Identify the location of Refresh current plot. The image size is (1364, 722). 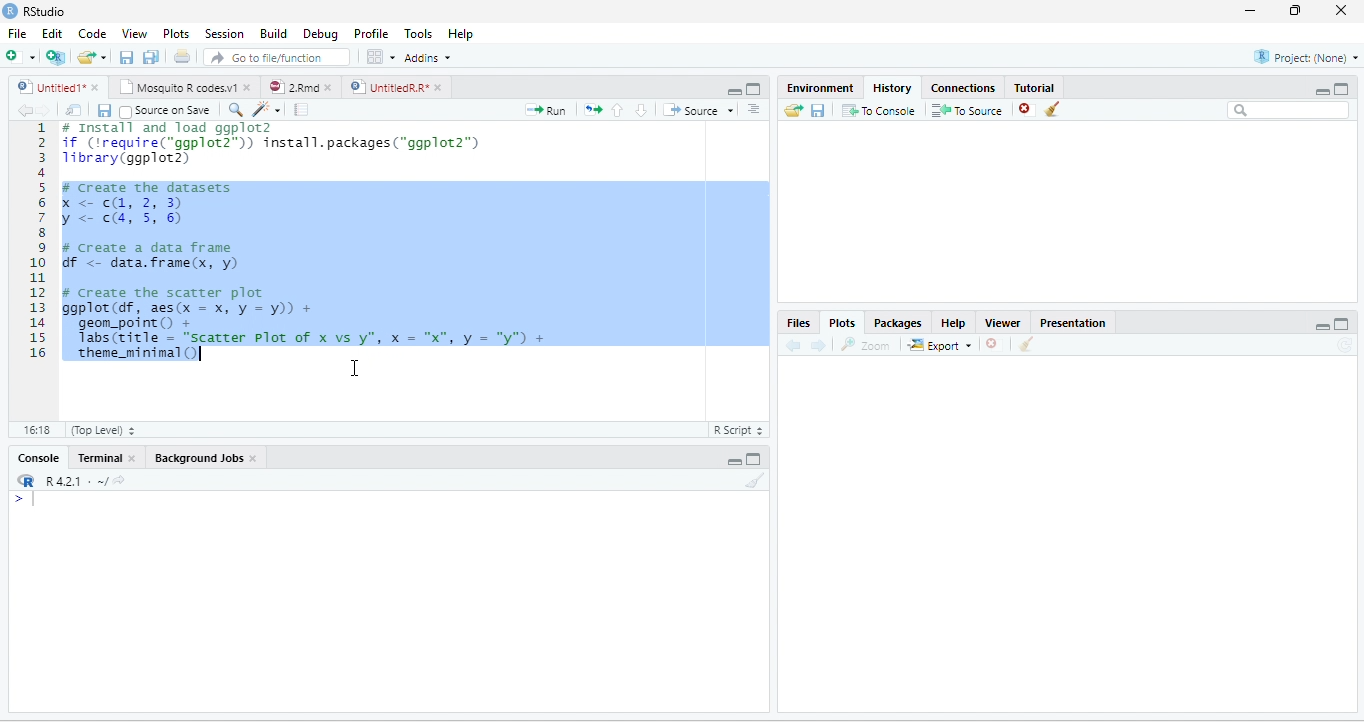
(1344, 344).